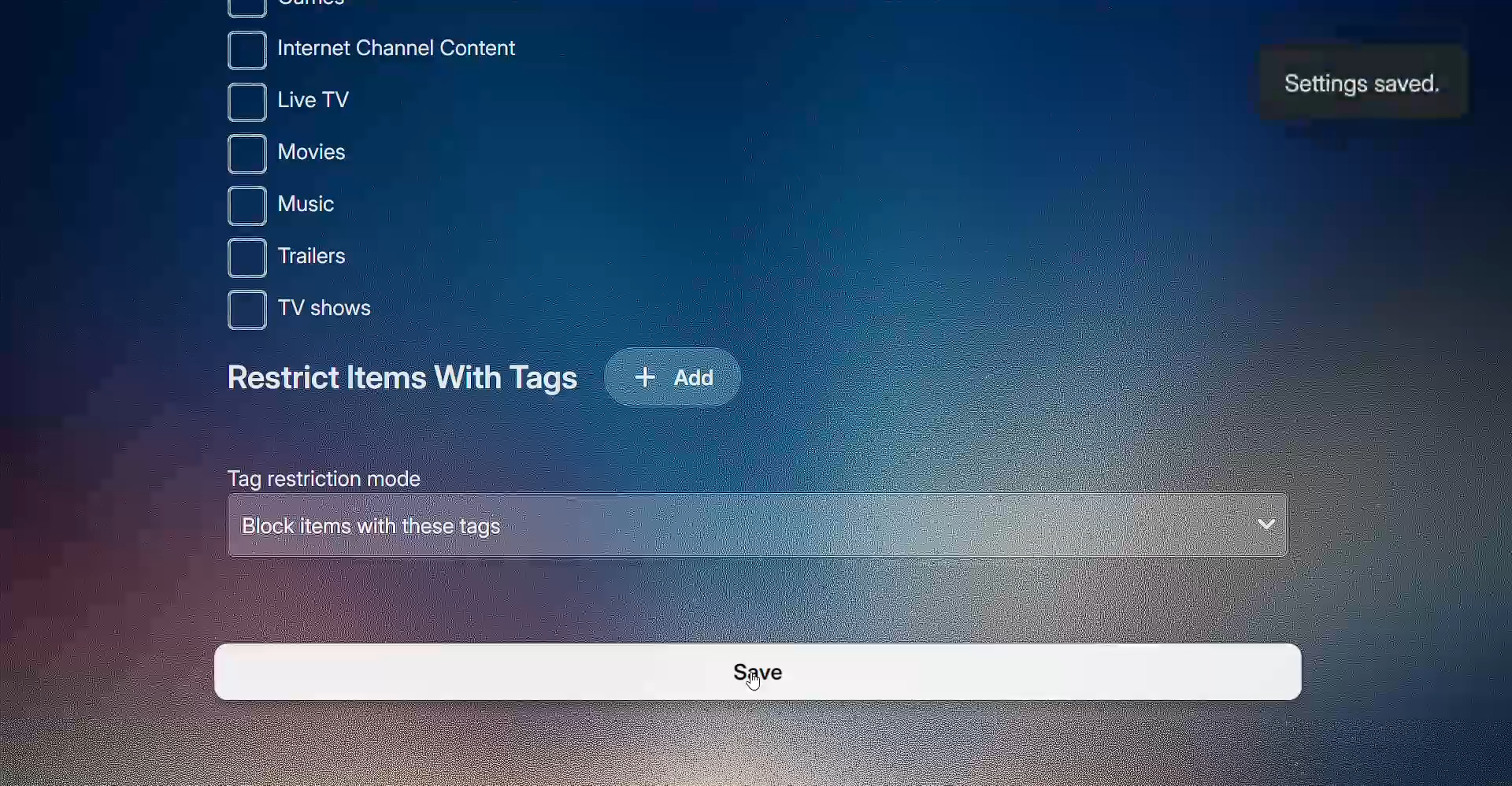  What do you see at coordinates (317, 103) in the screenshot?
I see `Live TV` at bounding box center [317, 103].